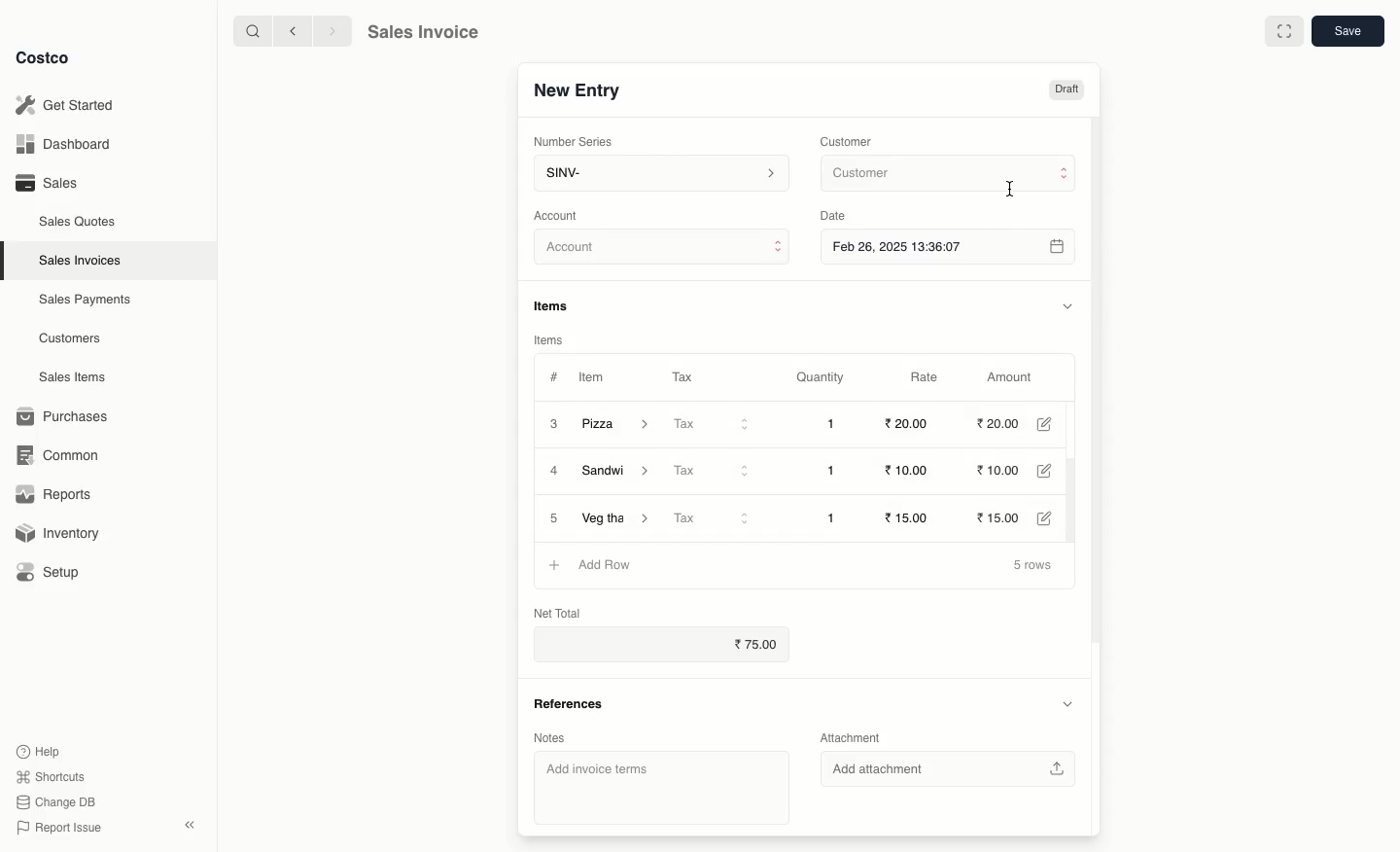 The width and height of the screenshot is (1400, 852). What do you see at coordinates (1002, 190) in the screenshot?
I see `Cursor` at bounding box center [1002, 190].